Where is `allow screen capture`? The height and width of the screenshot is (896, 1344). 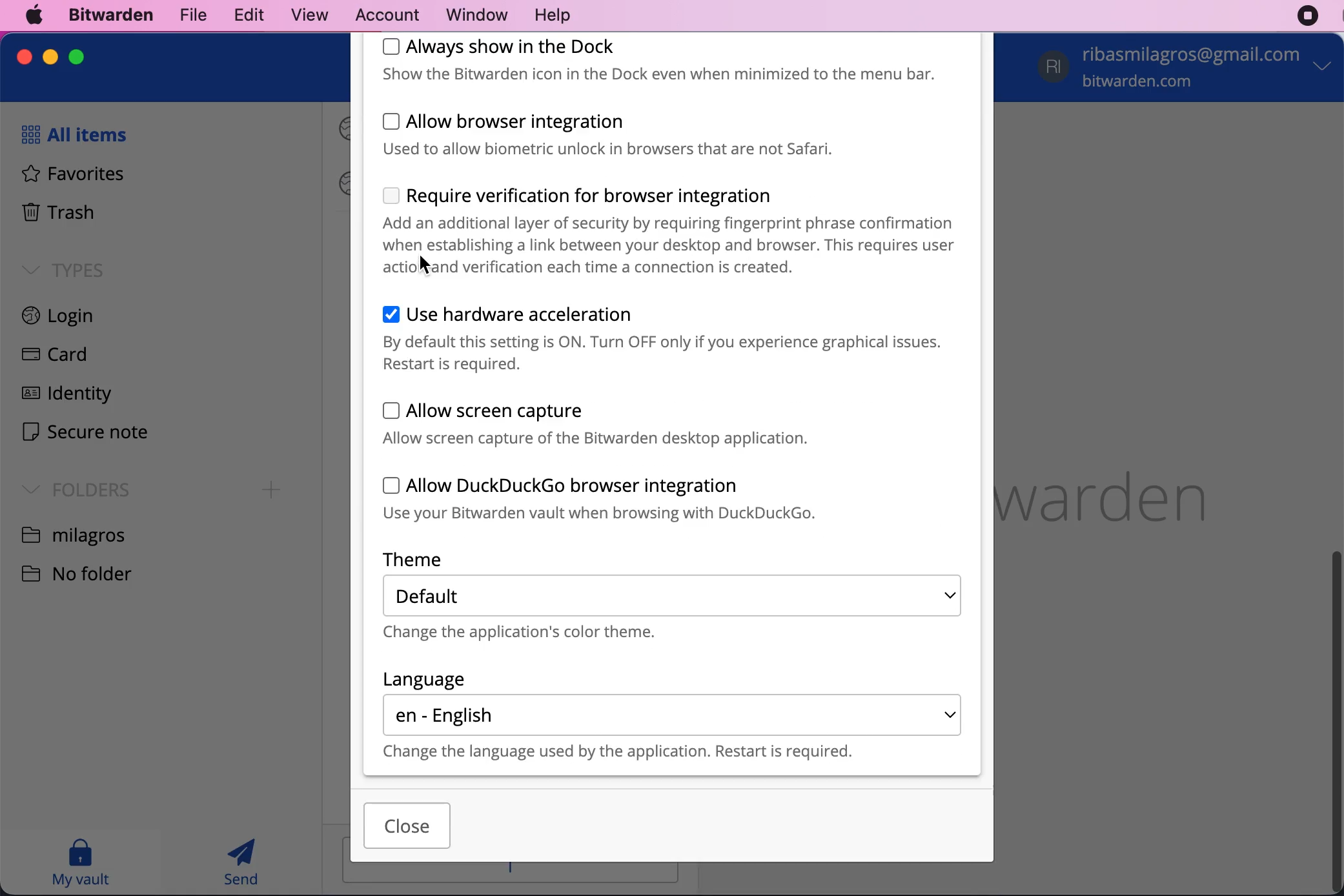
allow screen capture is located at coordinates (602, 423).